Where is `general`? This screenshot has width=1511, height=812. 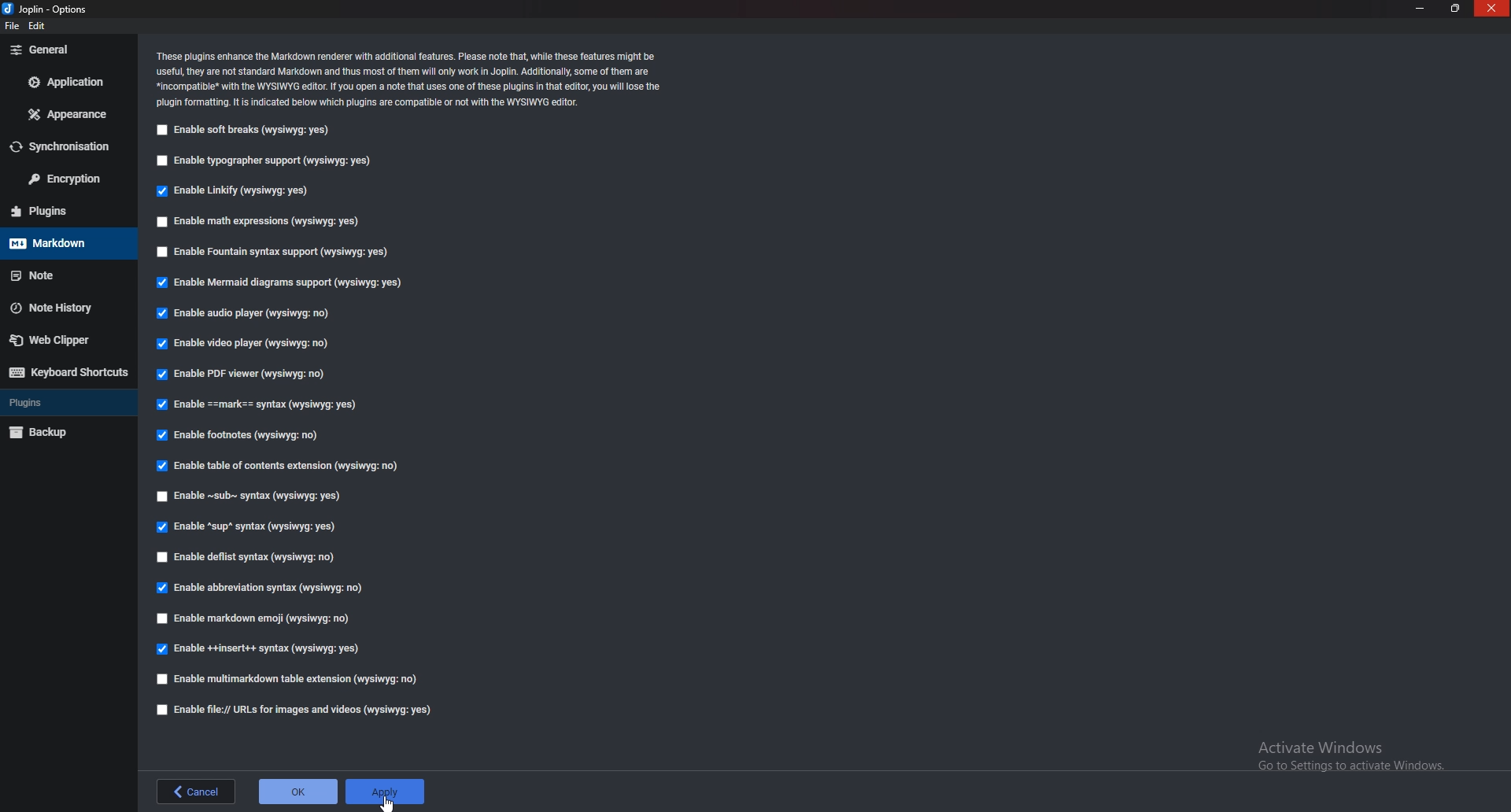 general is located at coordinates (65, 50).